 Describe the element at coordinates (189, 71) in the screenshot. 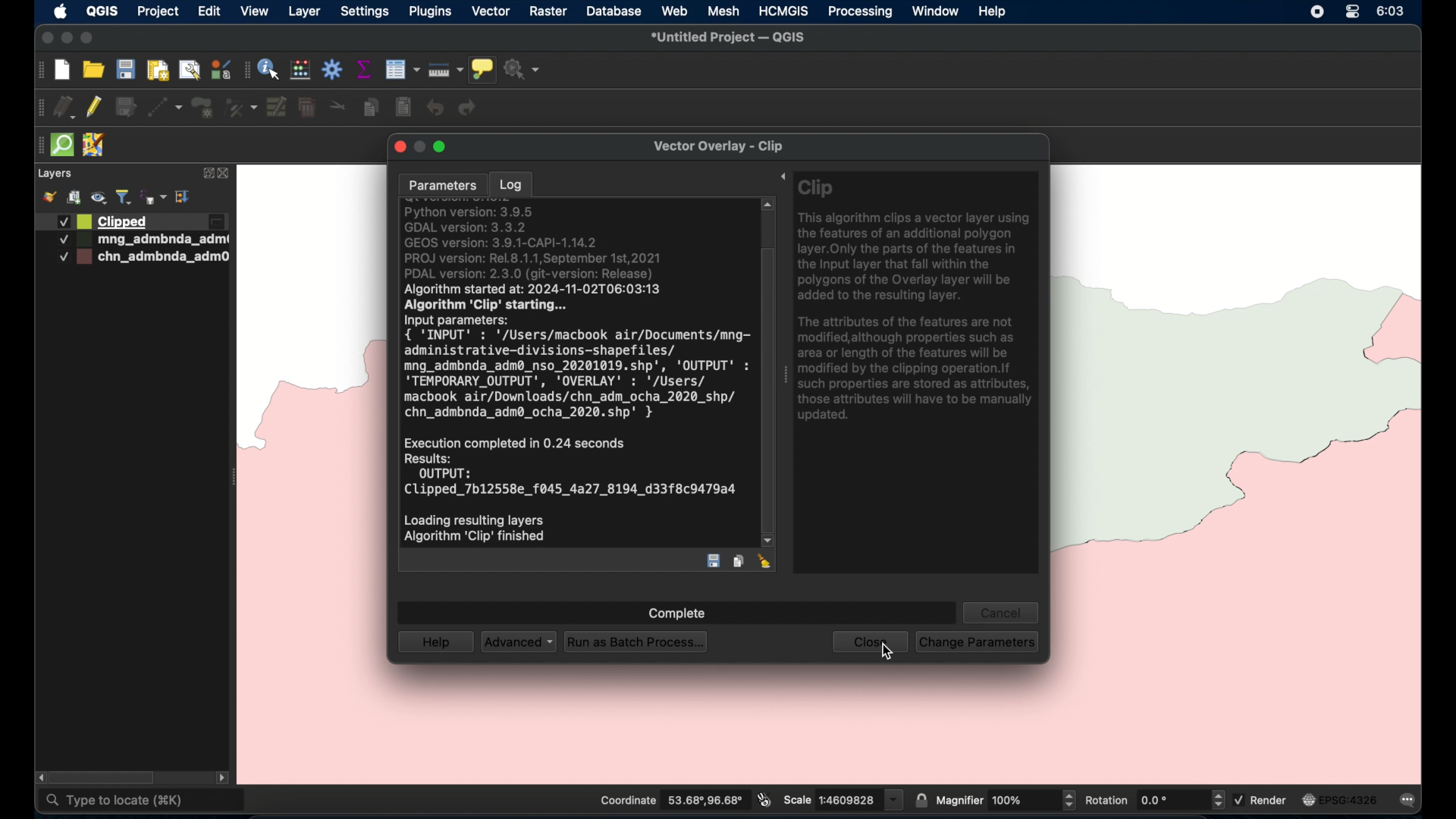

I see `open layout manager` at that location.